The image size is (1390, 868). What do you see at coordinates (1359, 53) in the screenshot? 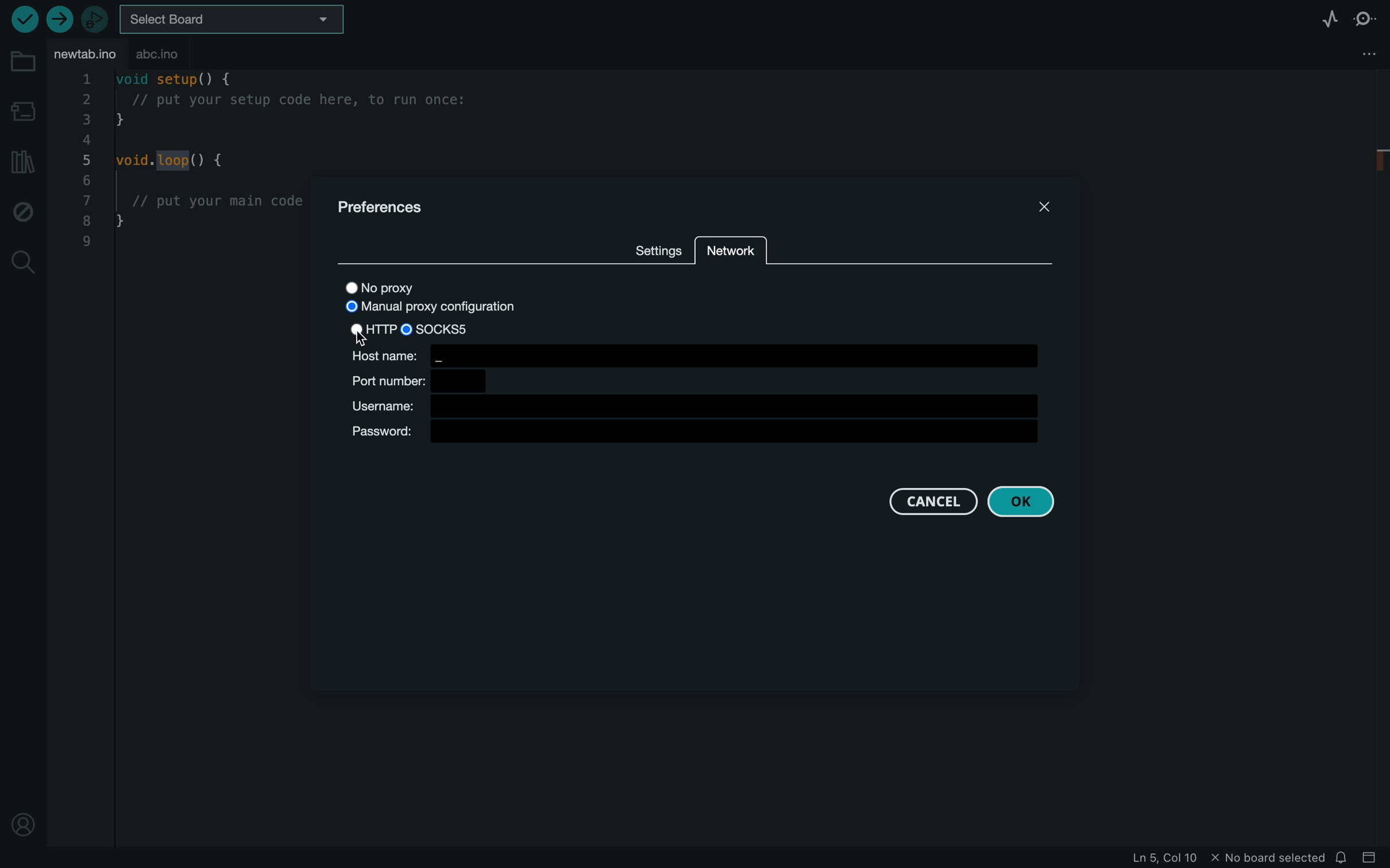
I see `file setting` at bounding box center [1359, 53].